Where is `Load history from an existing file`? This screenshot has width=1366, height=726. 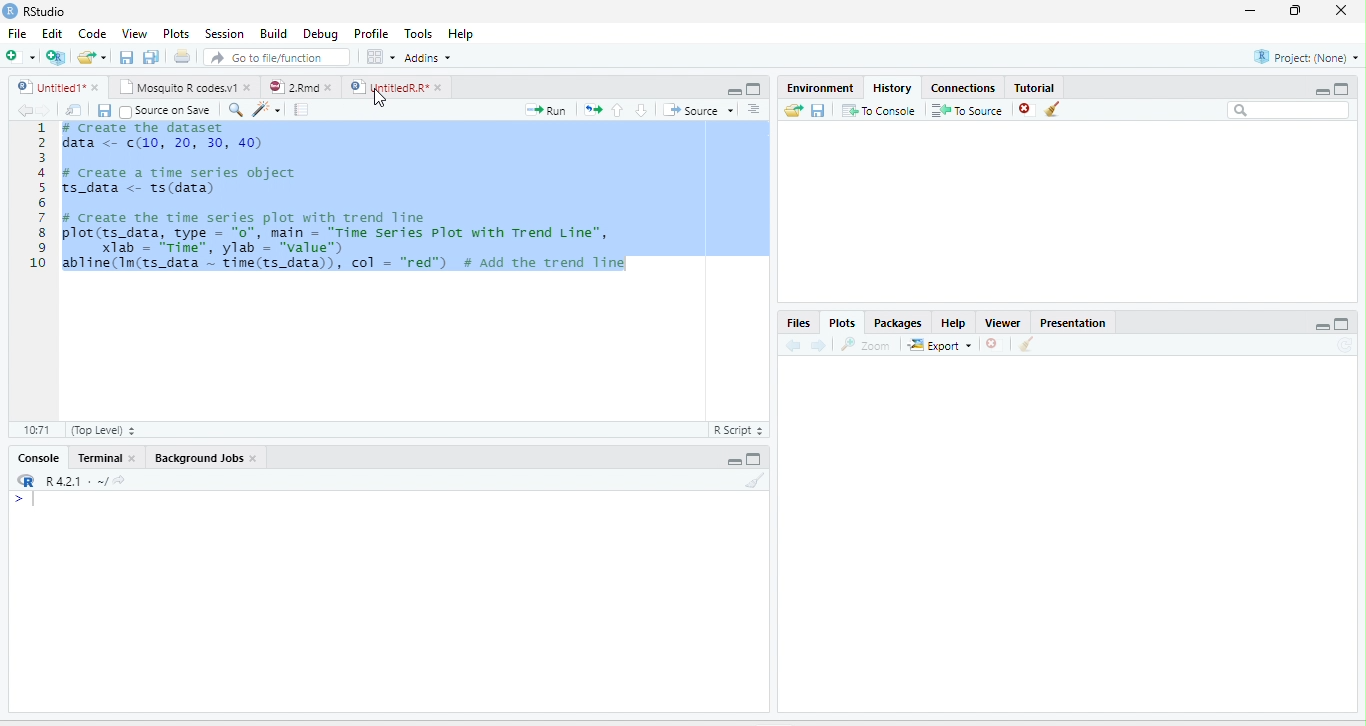
Load history from an existing file is located at coordinates (793, 110).